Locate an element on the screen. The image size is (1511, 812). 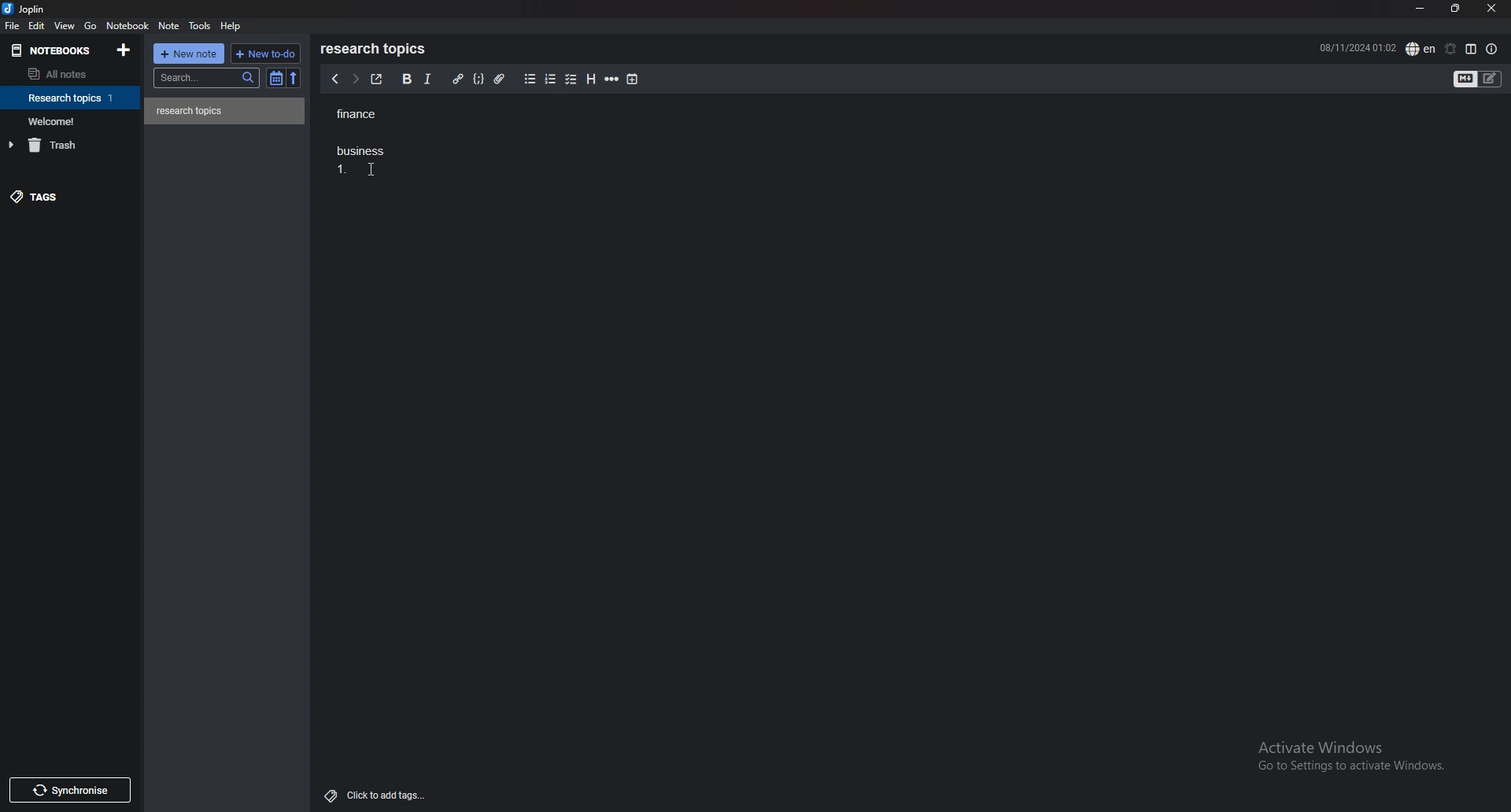
new todo is located at coordinates (265, 53).